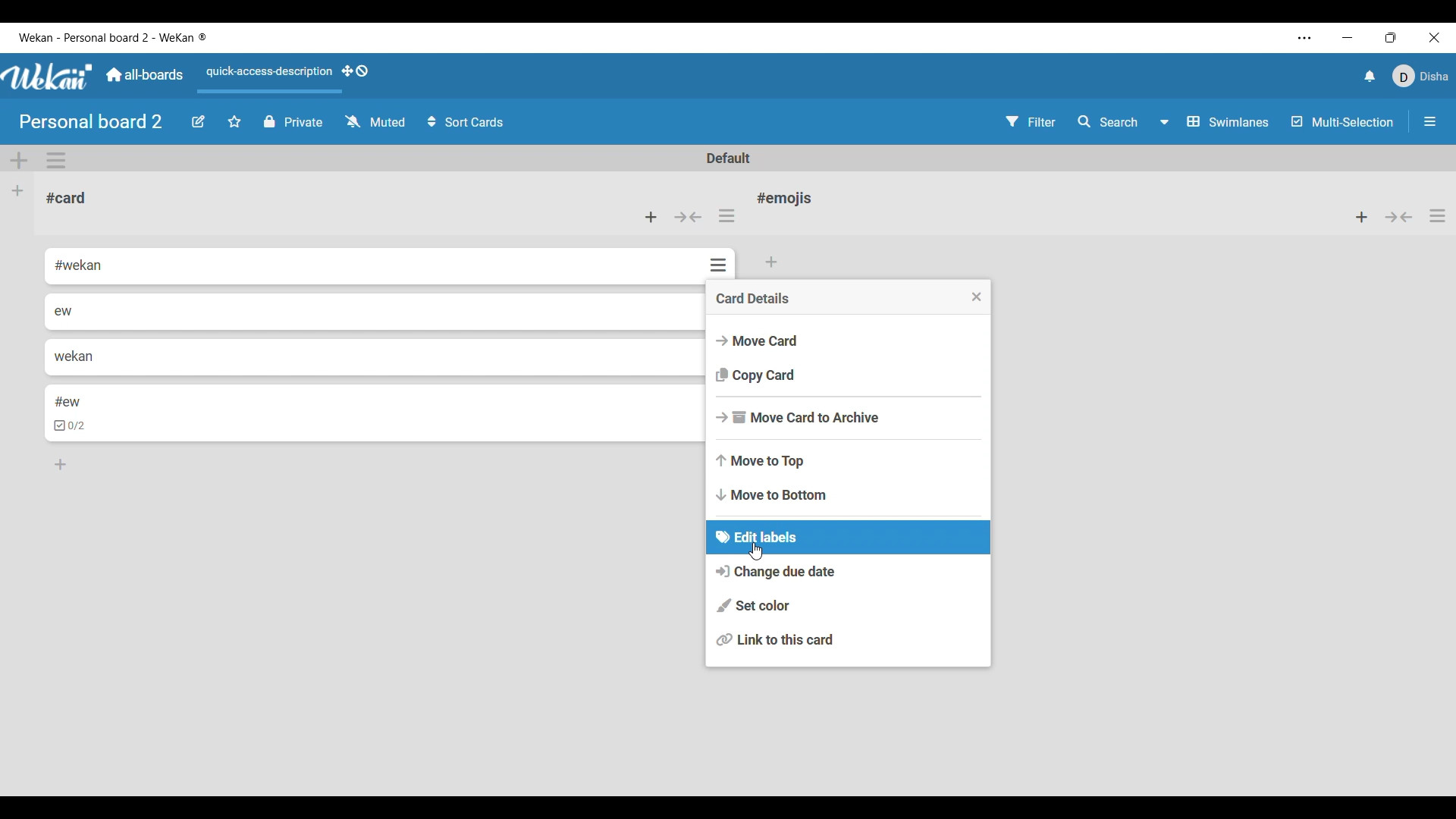 This screenshot has width=1456, height=819. What do you see at coordinates (1343, 121) in the screenshot?
I see `Toggle for multi-selection` at bounding box center [1343, 121].